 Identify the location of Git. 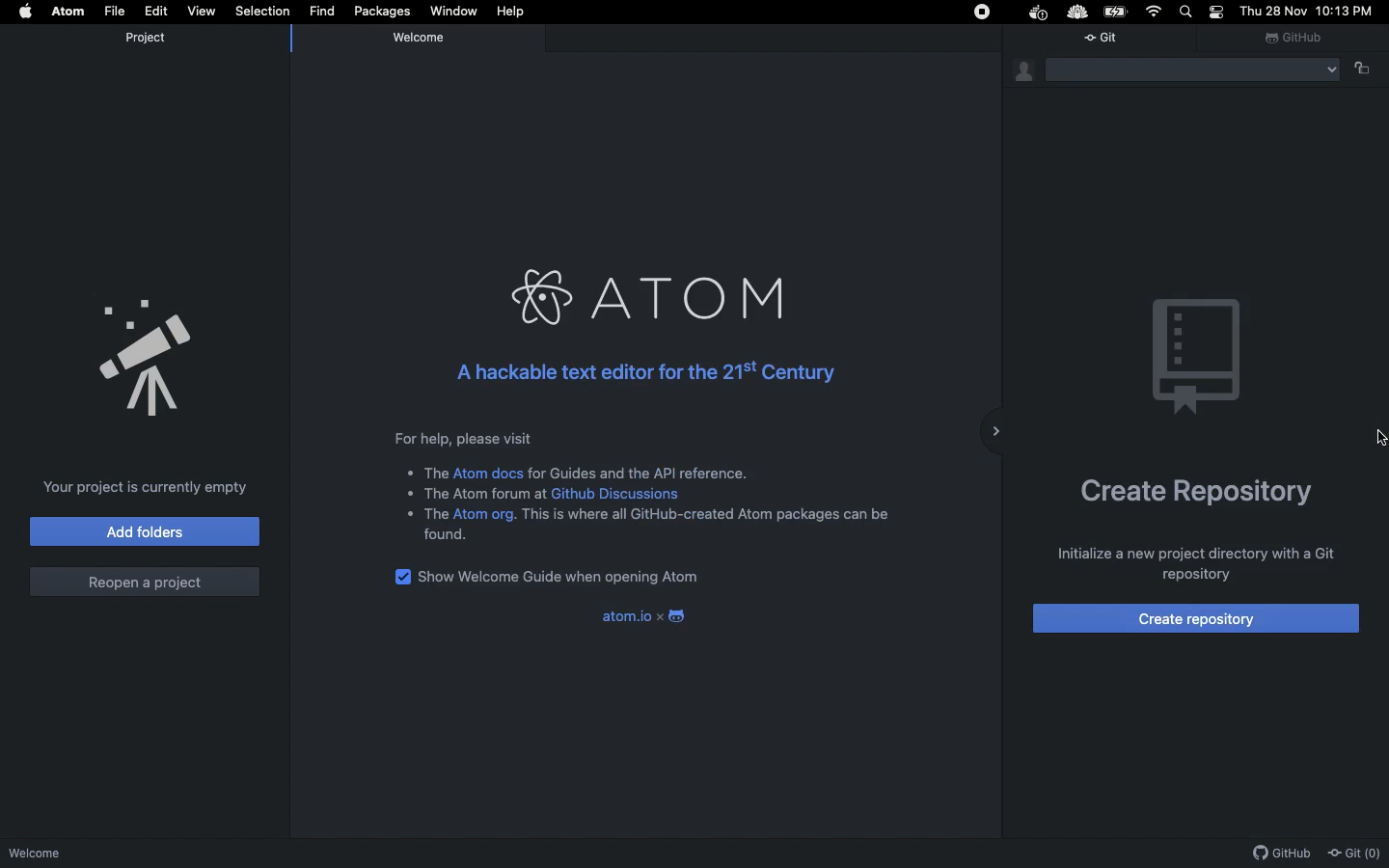
(1110, 43).